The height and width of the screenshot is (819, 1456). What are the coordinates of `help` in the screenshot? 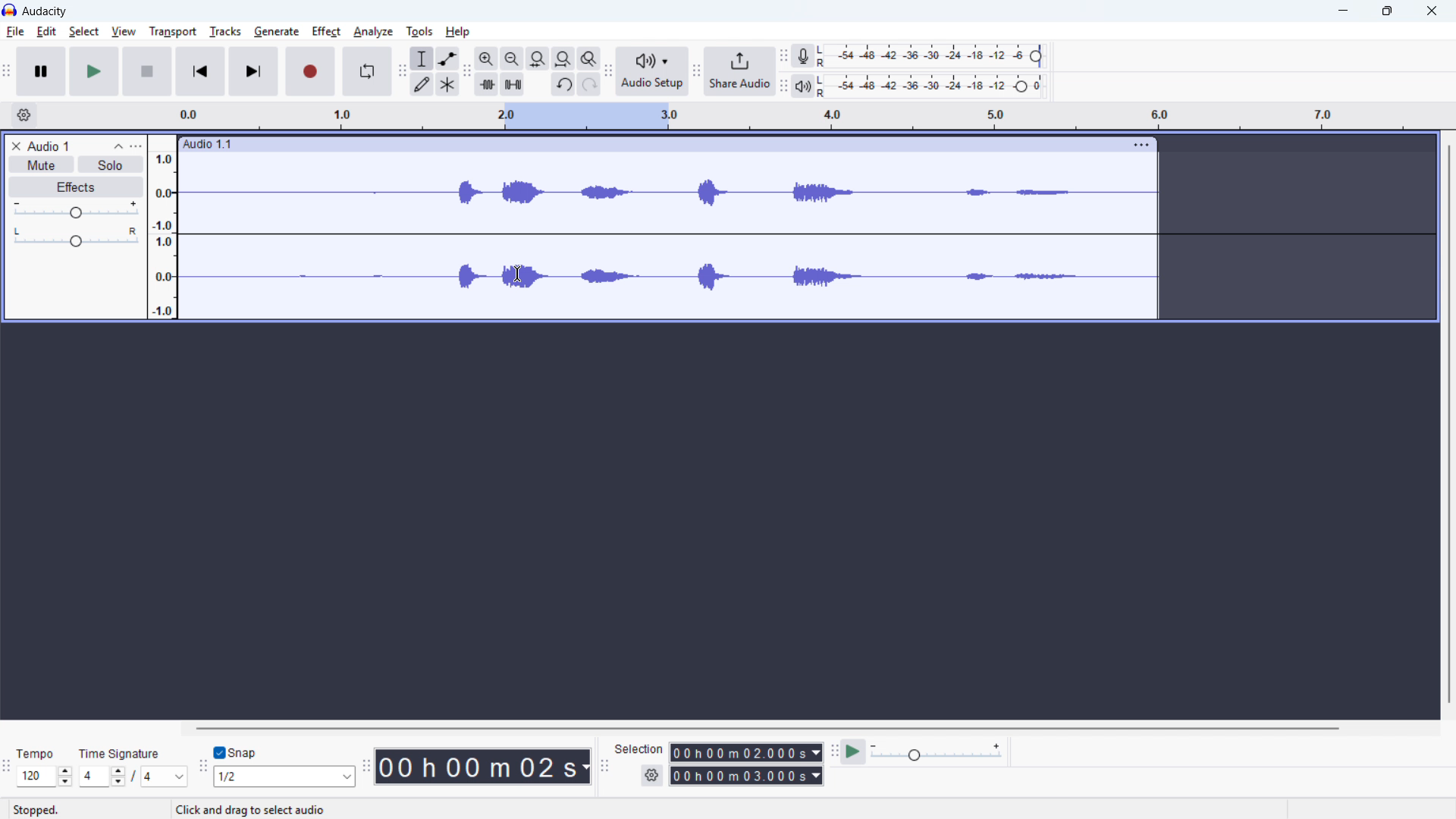 It's located at (457, 31).